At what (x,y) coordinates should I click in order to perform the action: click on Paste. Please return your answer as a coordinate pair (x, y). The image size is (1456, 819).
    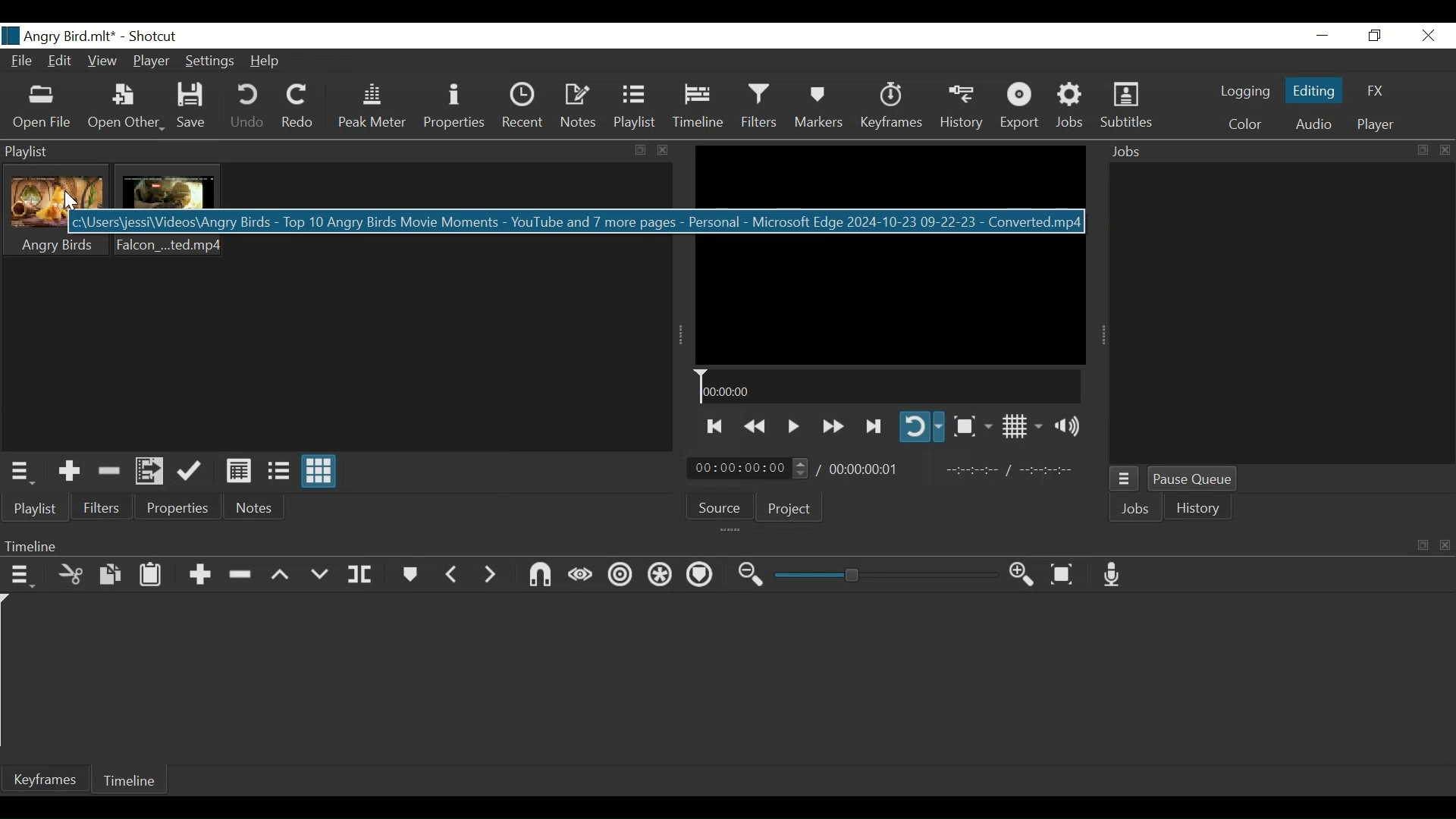
    Looking at the image, I should click on (149, 575).